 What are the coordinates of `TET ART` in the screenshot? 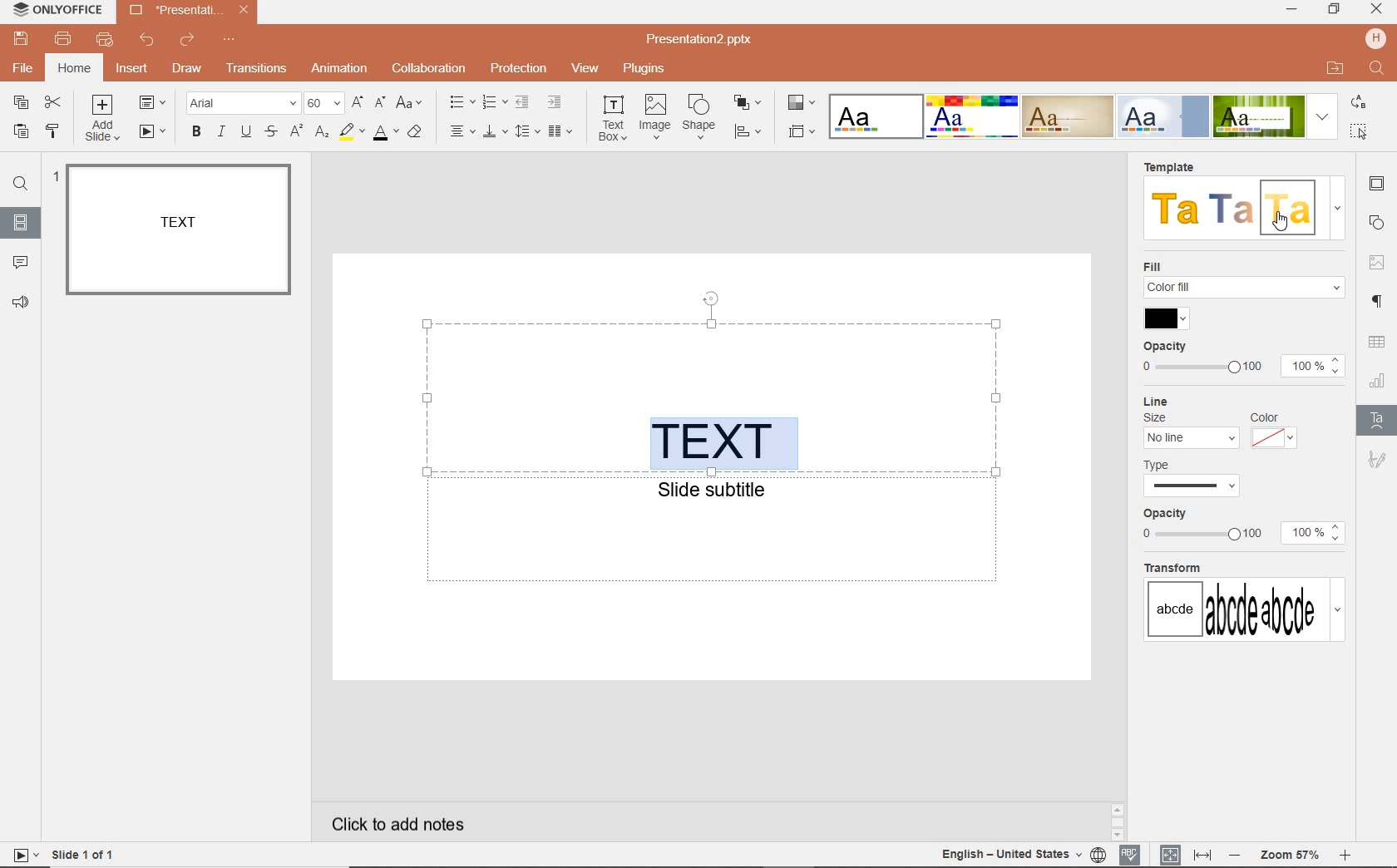 It's located at (1376, 418).